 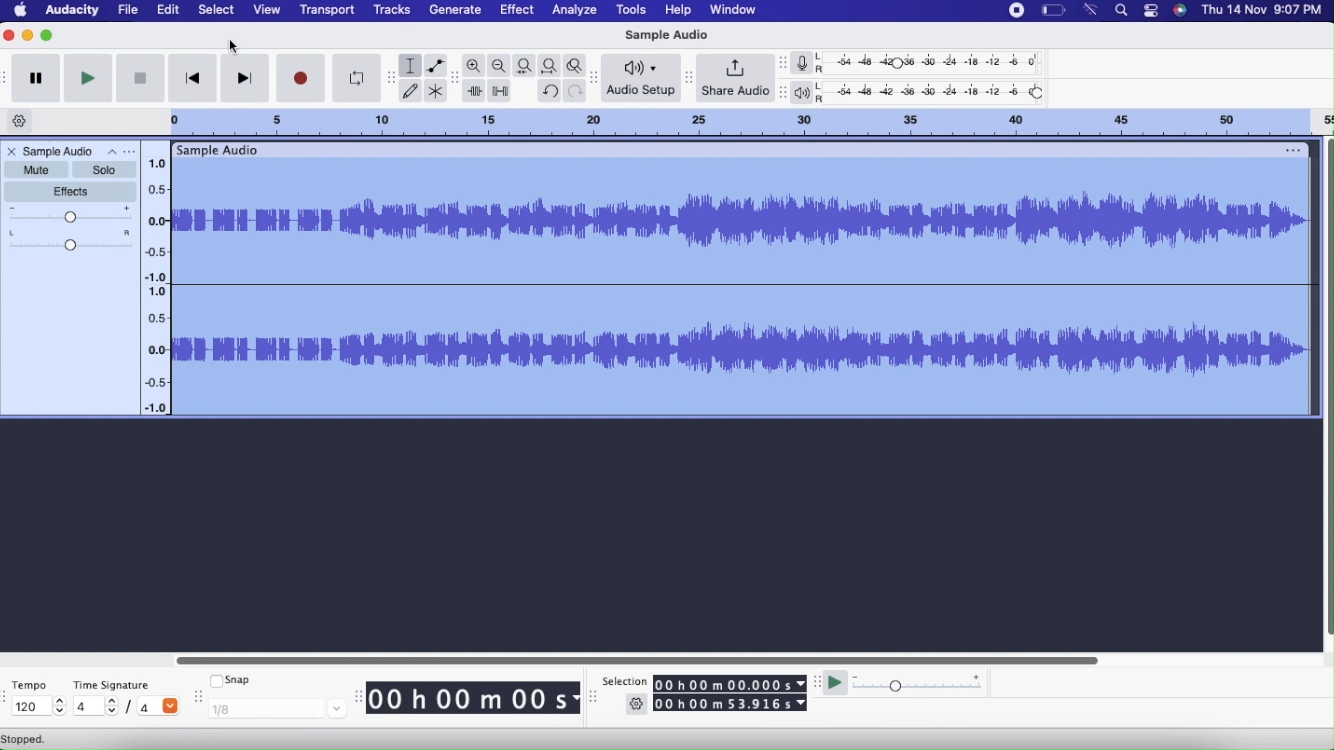 I want to click on Search , so click(x=1125, y=11).